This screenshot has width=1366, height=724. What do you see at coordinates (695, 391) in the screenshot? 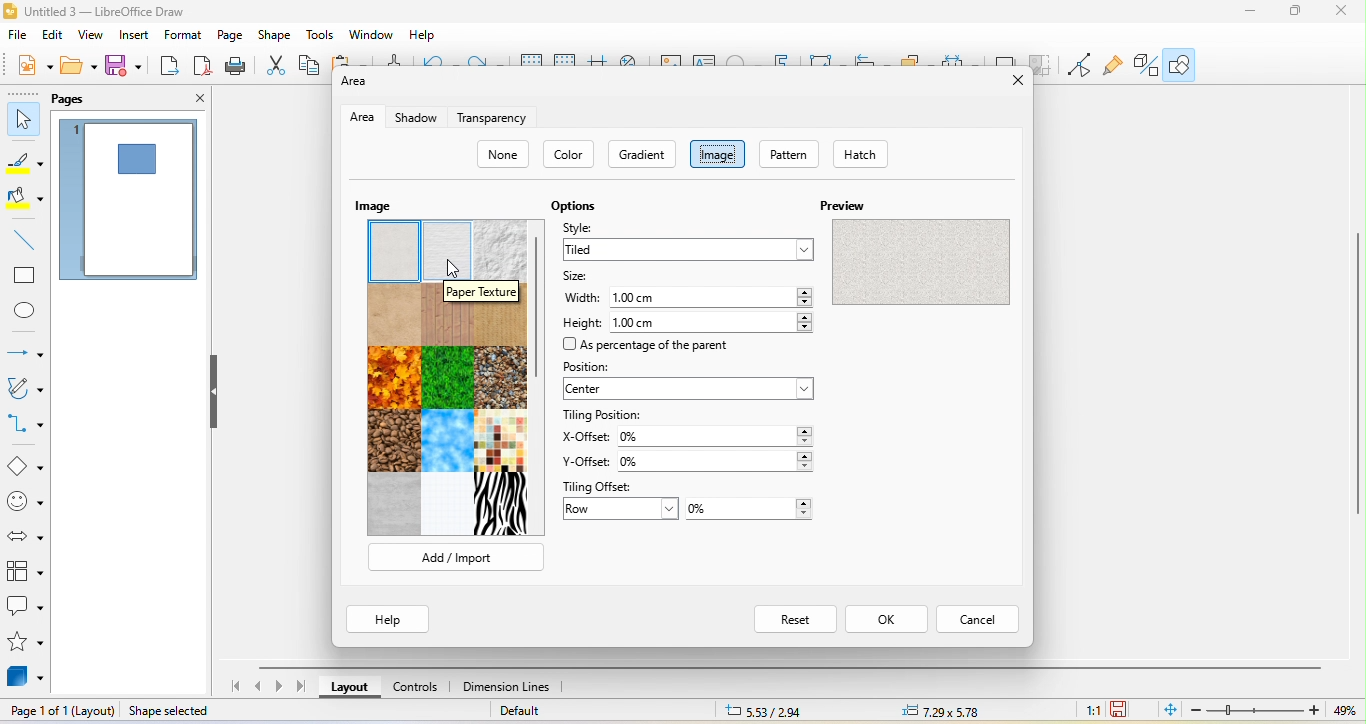
I see `center` at bounding box center [695, 391].